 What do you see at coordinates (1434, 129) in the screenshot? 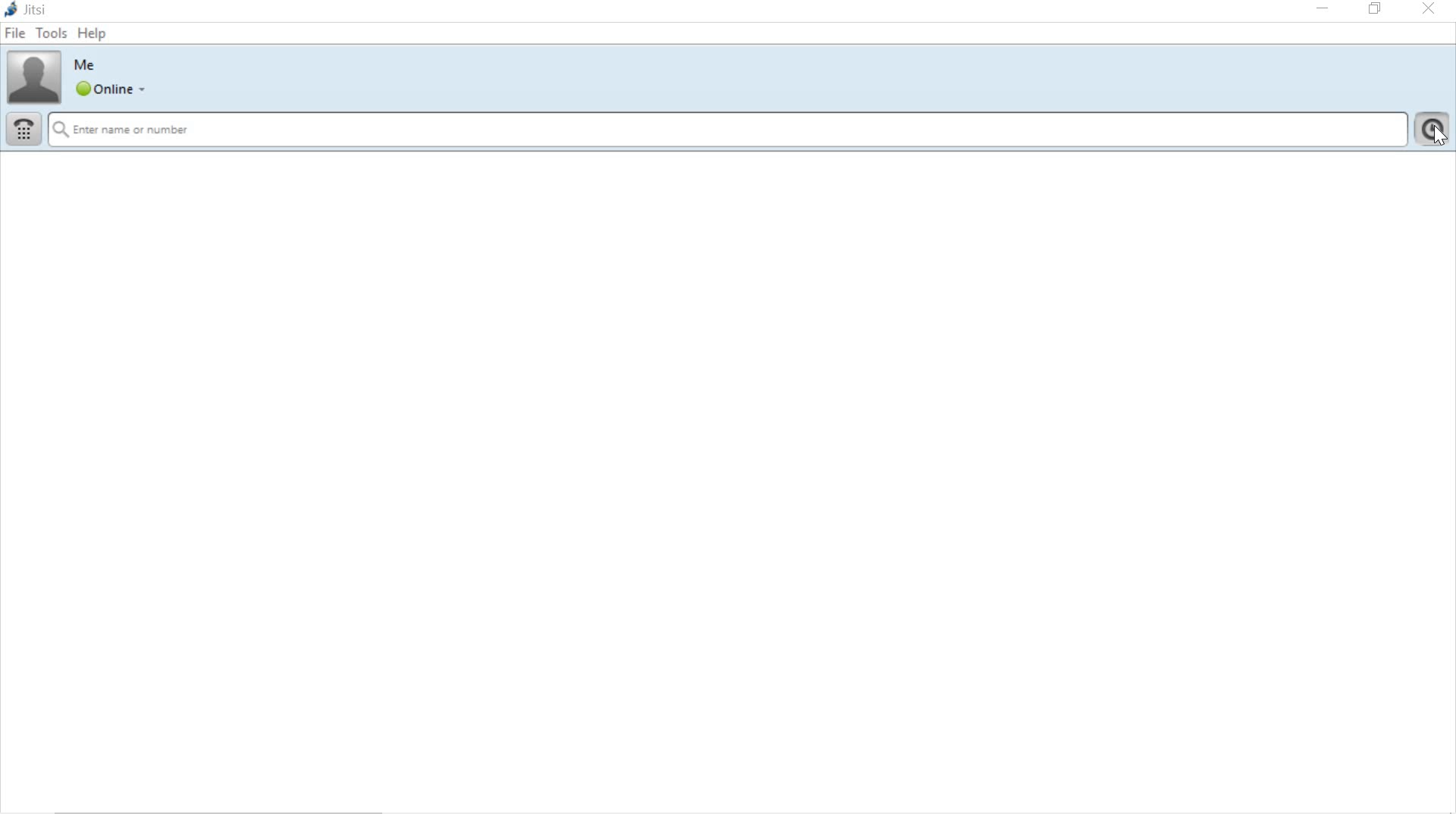
I see `call history` at bounding box center [1434, 129].